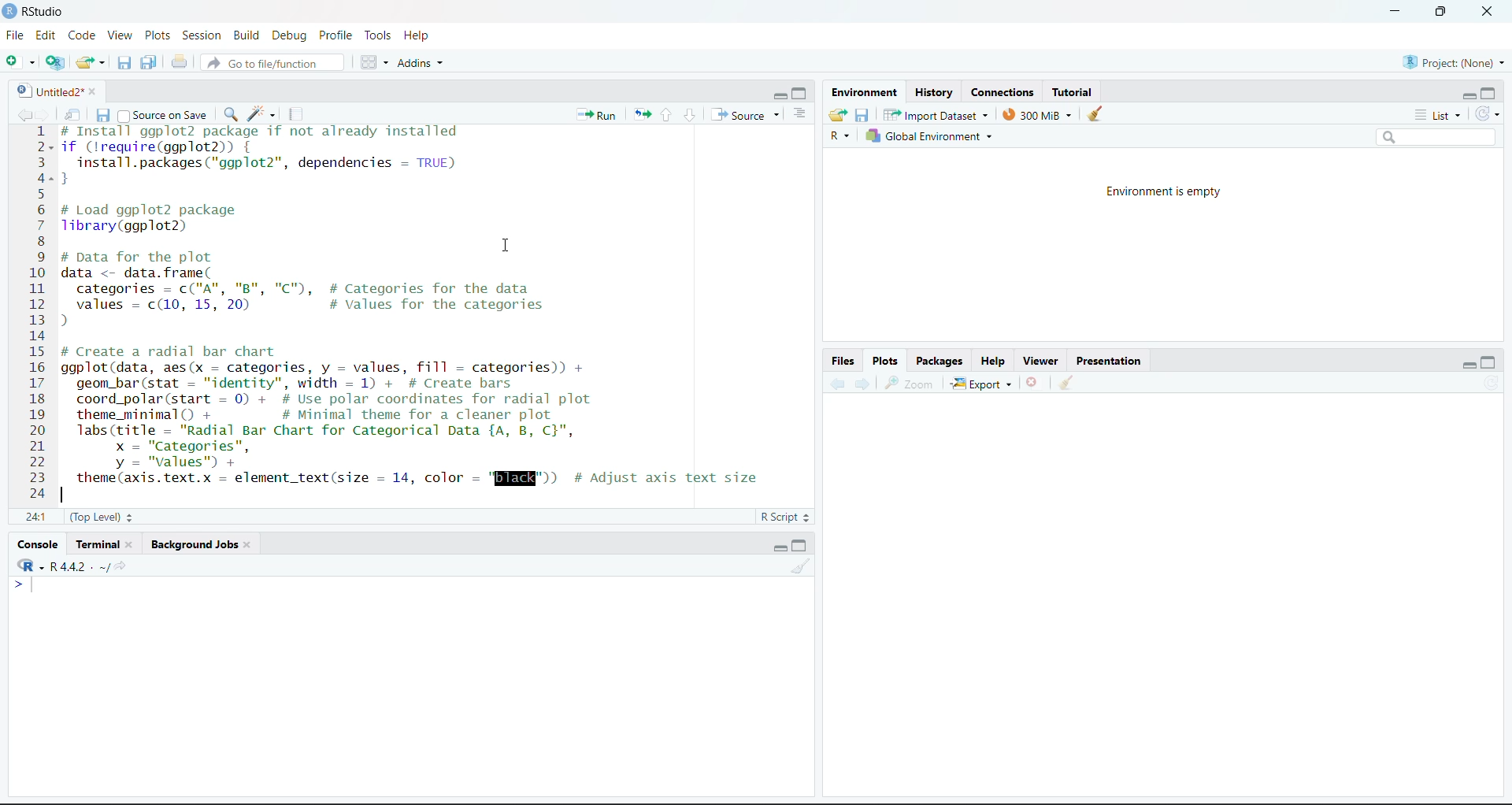  What do you see at coordinates (1000, 93) in the screenshot?
I see `Connections` at bounding box center [1000, 93].